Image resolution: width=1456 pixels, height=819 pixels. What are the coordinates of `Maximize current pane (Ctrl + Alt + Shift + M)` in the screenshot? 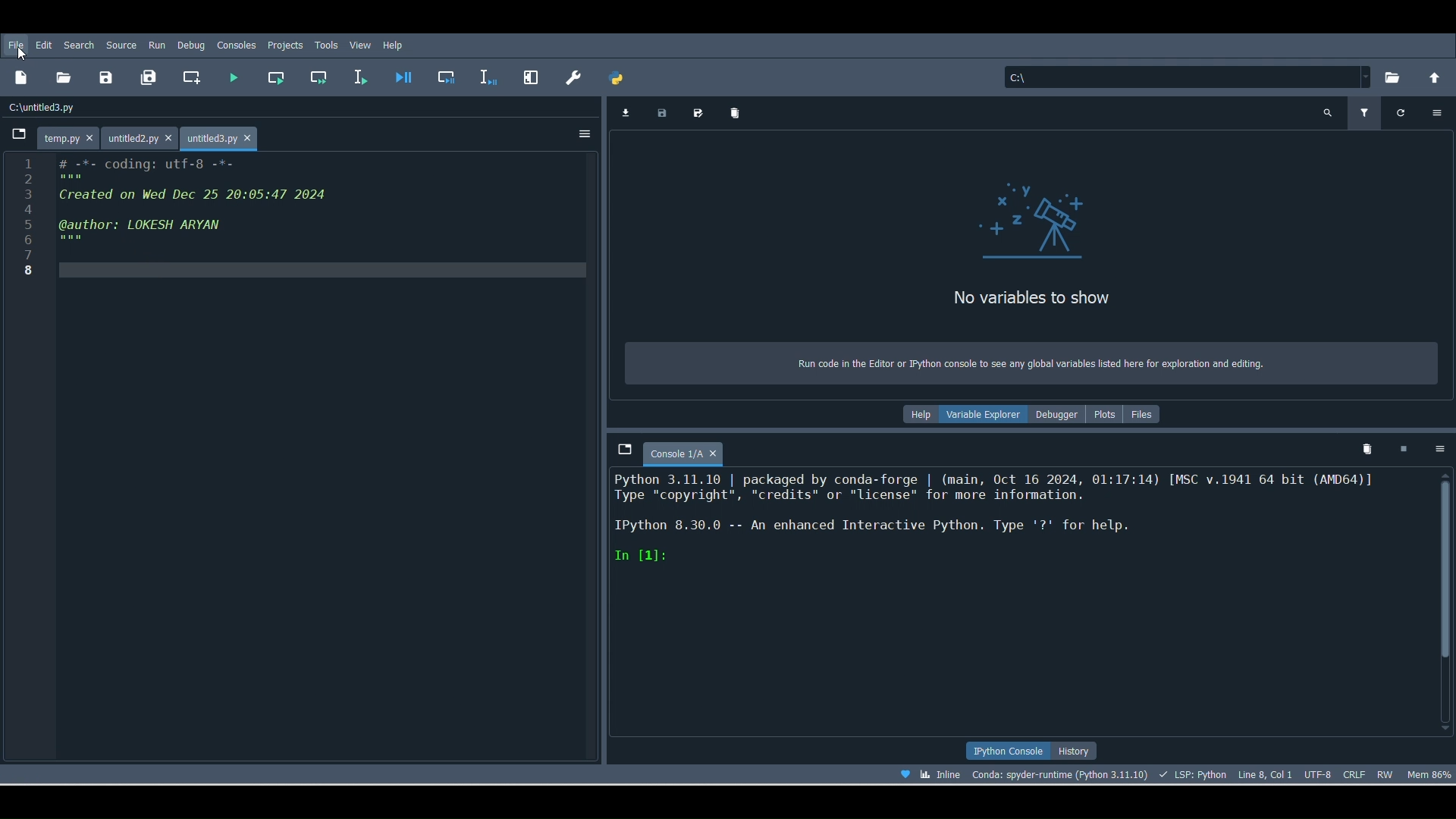 It's located at (570, 76).